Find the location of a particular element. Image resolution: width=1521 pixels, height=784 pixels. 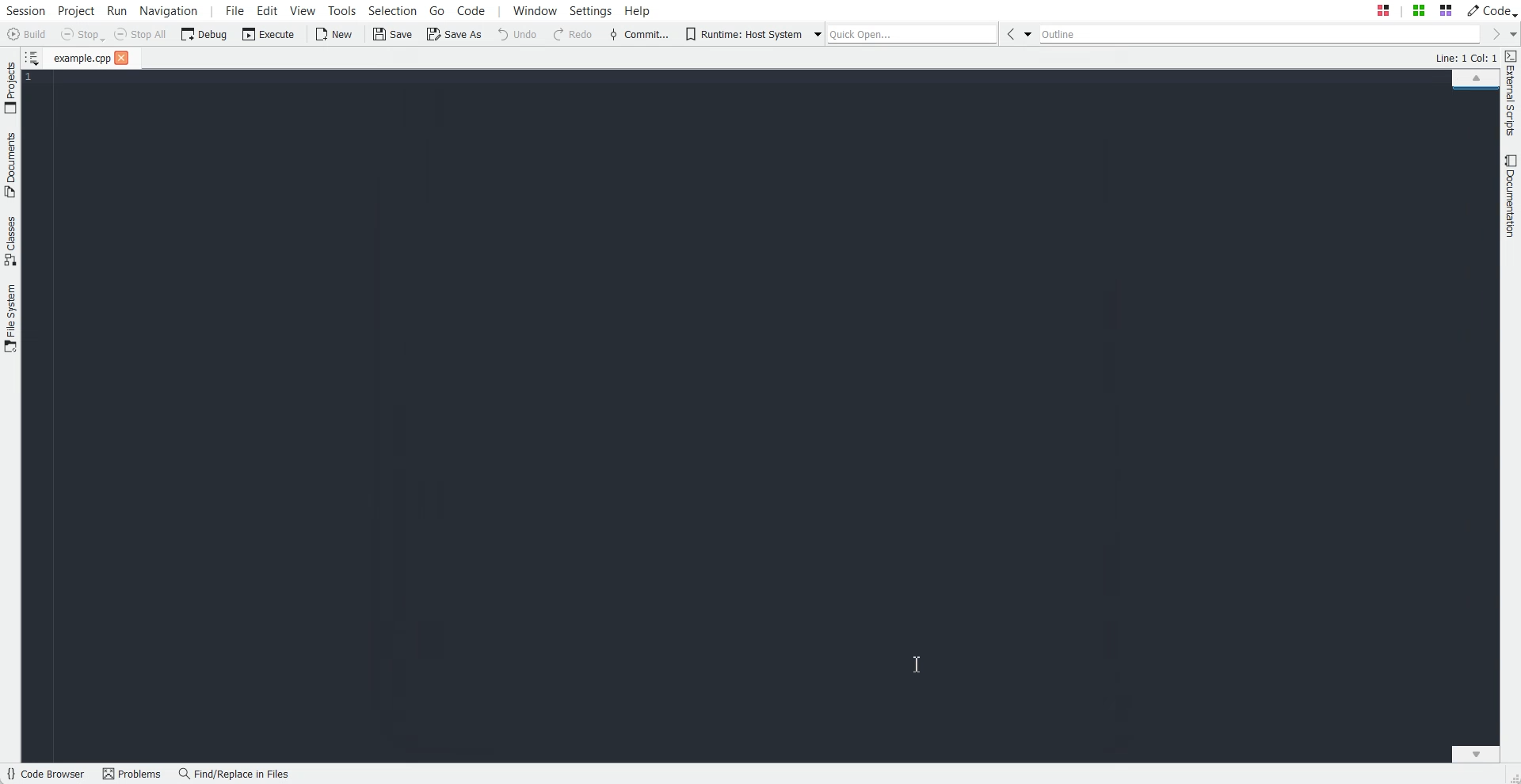

Save As is located at coordinates (452, 33).